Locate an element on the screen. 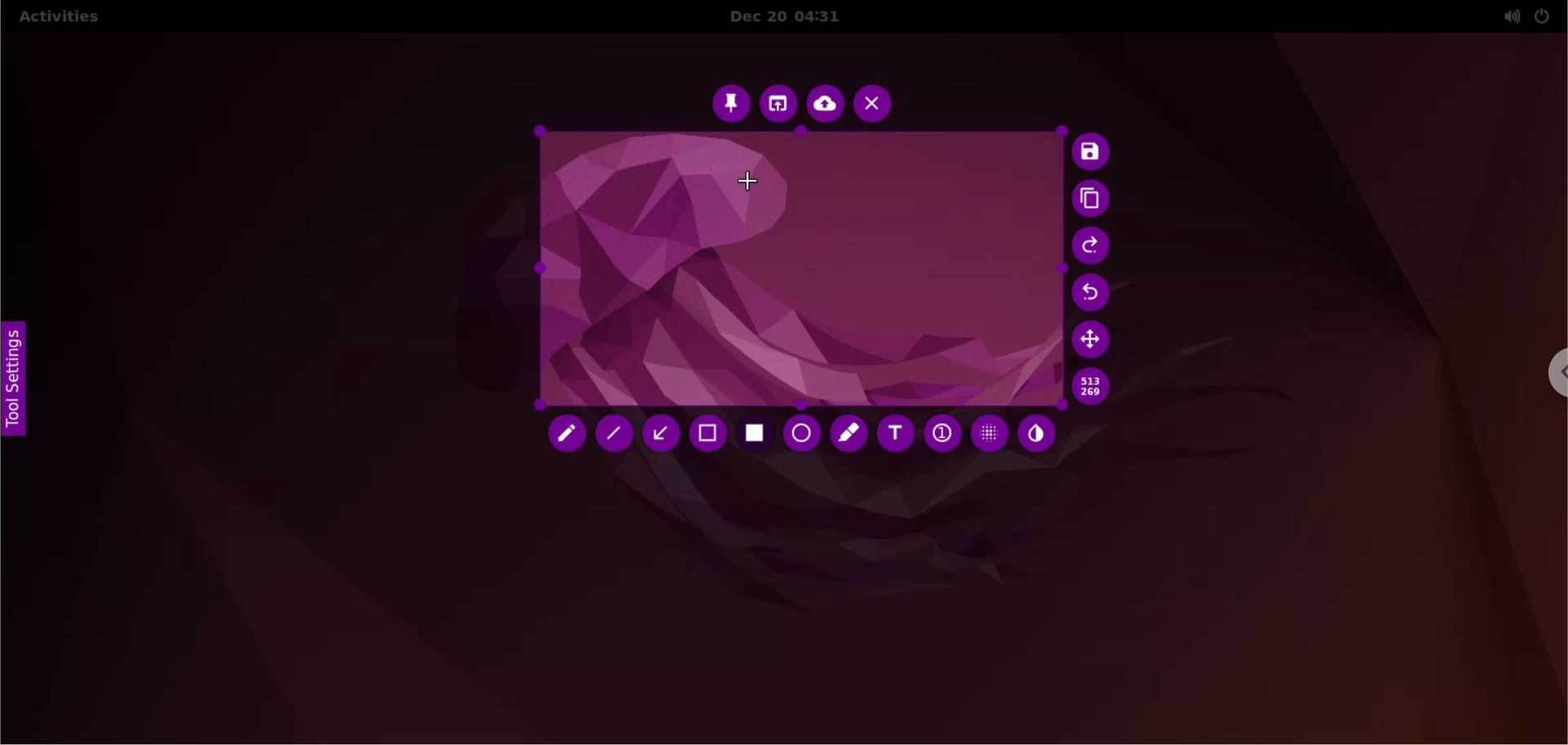 Image resolution: width=1568 pixels, height=745 pixels. save is located at coordinates (1092, 152).